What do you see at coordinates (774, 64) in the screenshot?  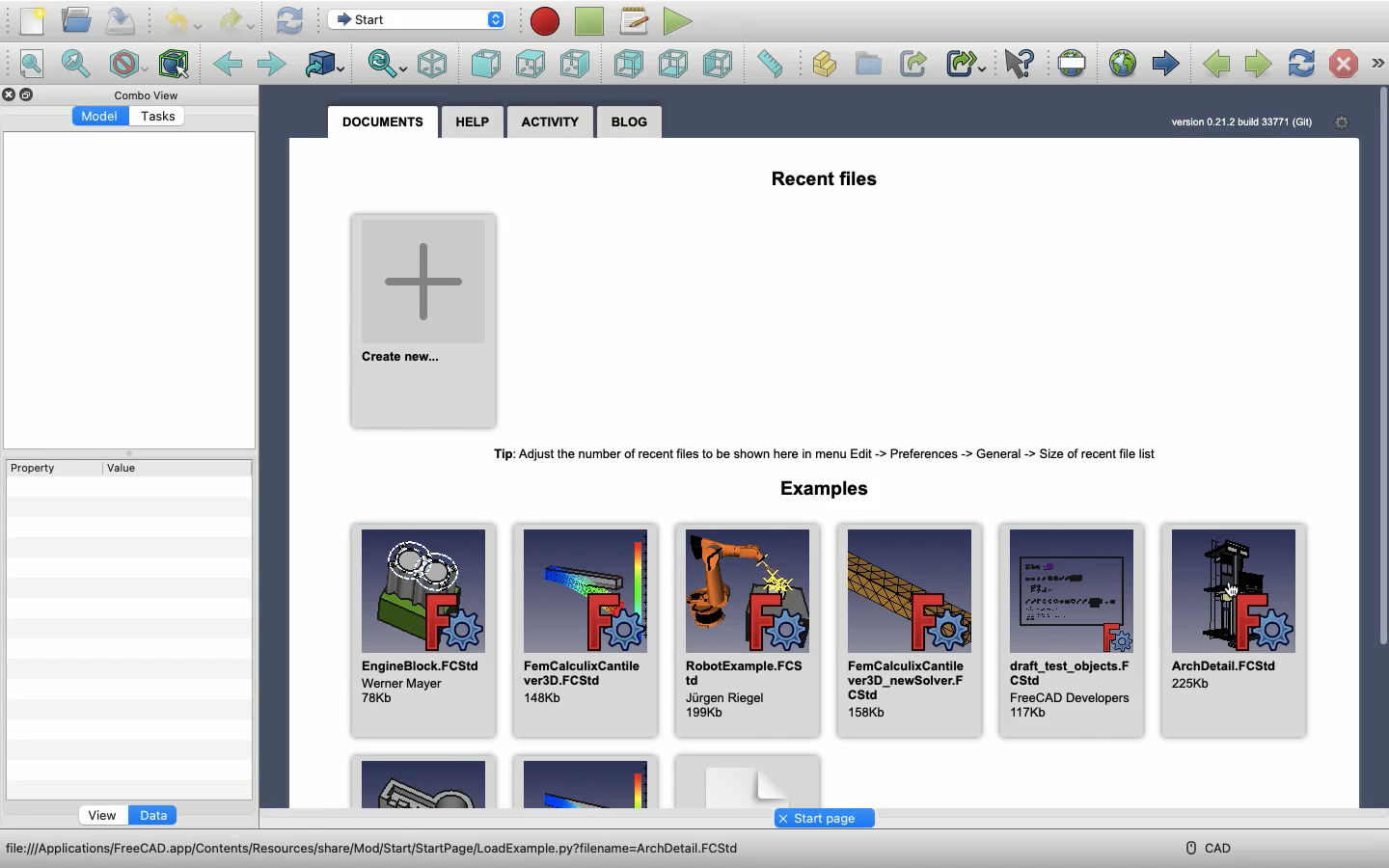 I see `Measure distance` at bounding box center [774, 64].